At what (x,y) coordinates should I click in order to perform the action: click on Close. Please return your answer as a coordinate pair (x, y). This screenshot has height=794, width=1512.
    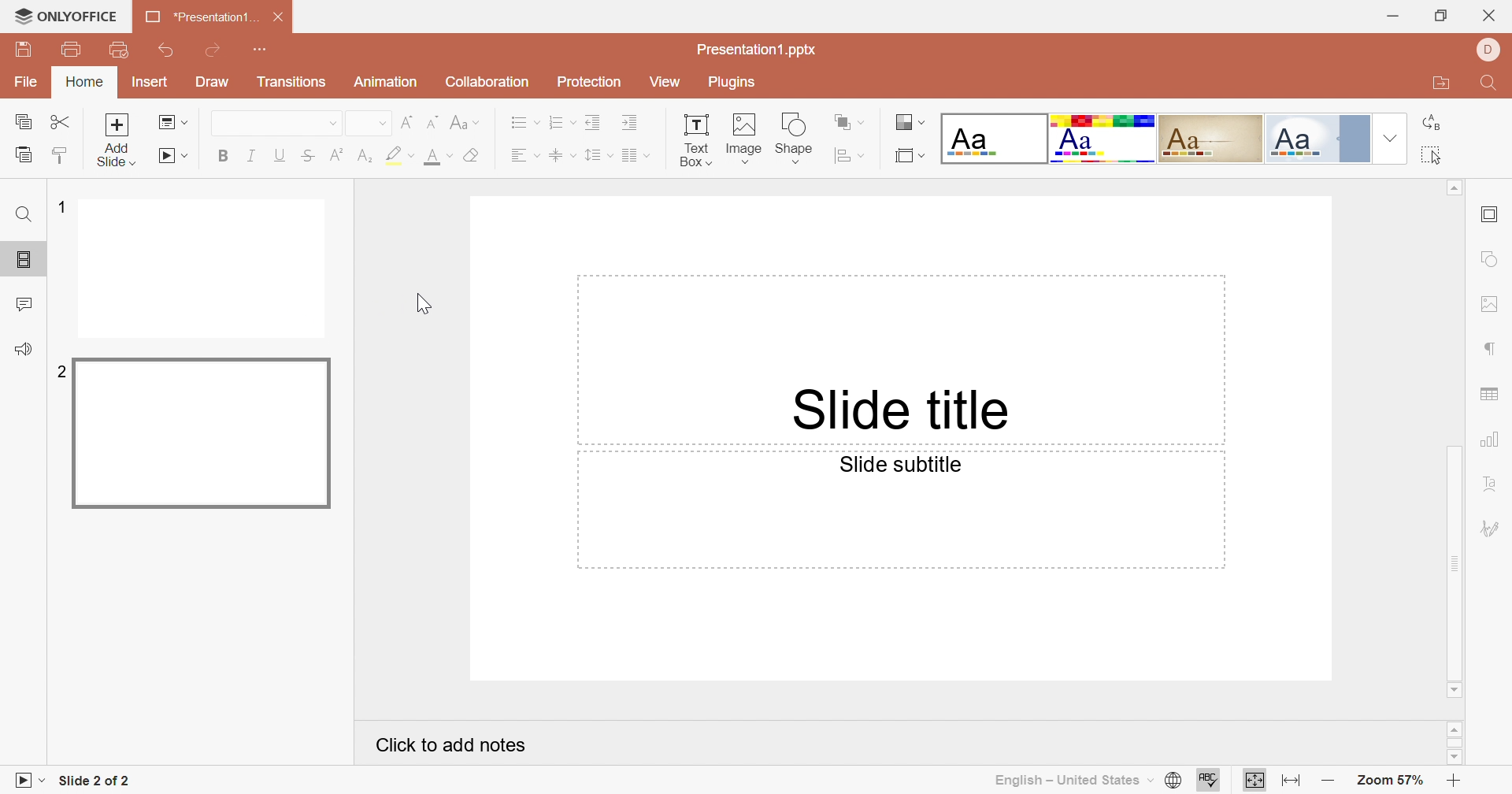
    Looking at the image, I should click on (280, 15).